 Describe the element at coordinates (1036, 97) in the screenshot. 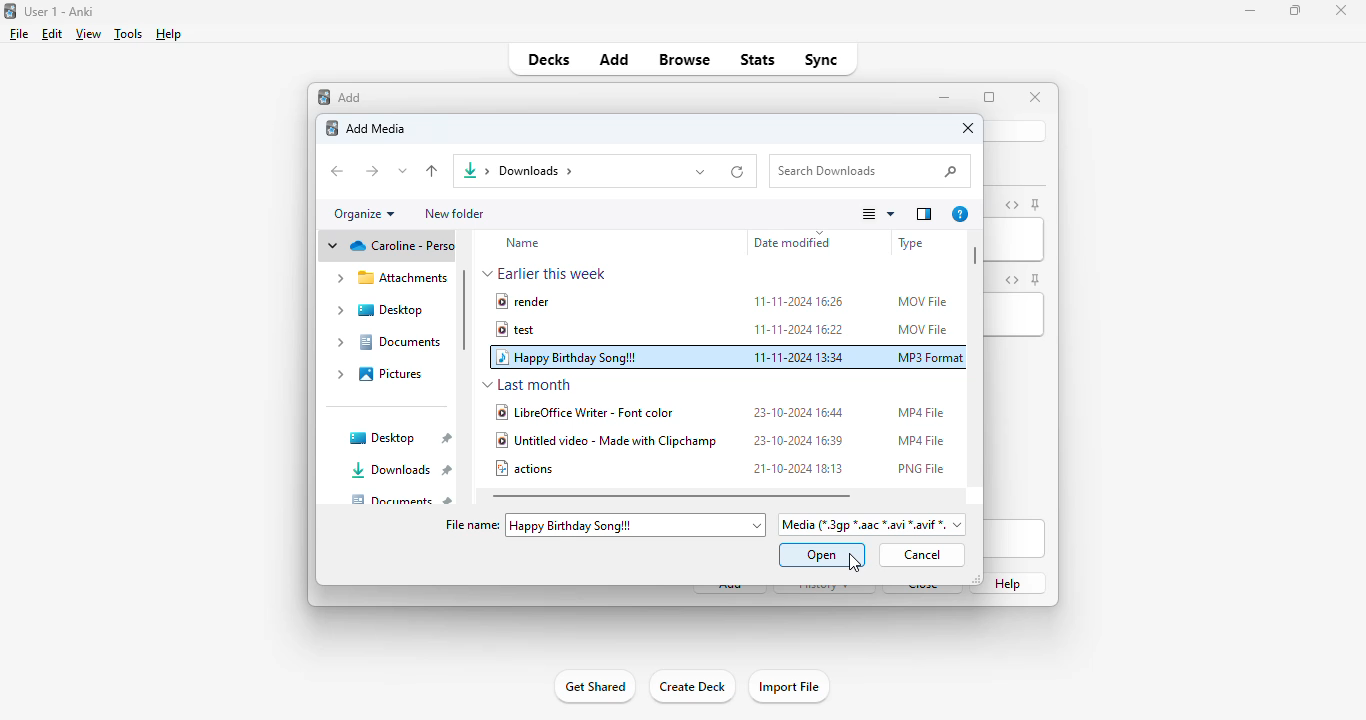

I see `close` at that location.